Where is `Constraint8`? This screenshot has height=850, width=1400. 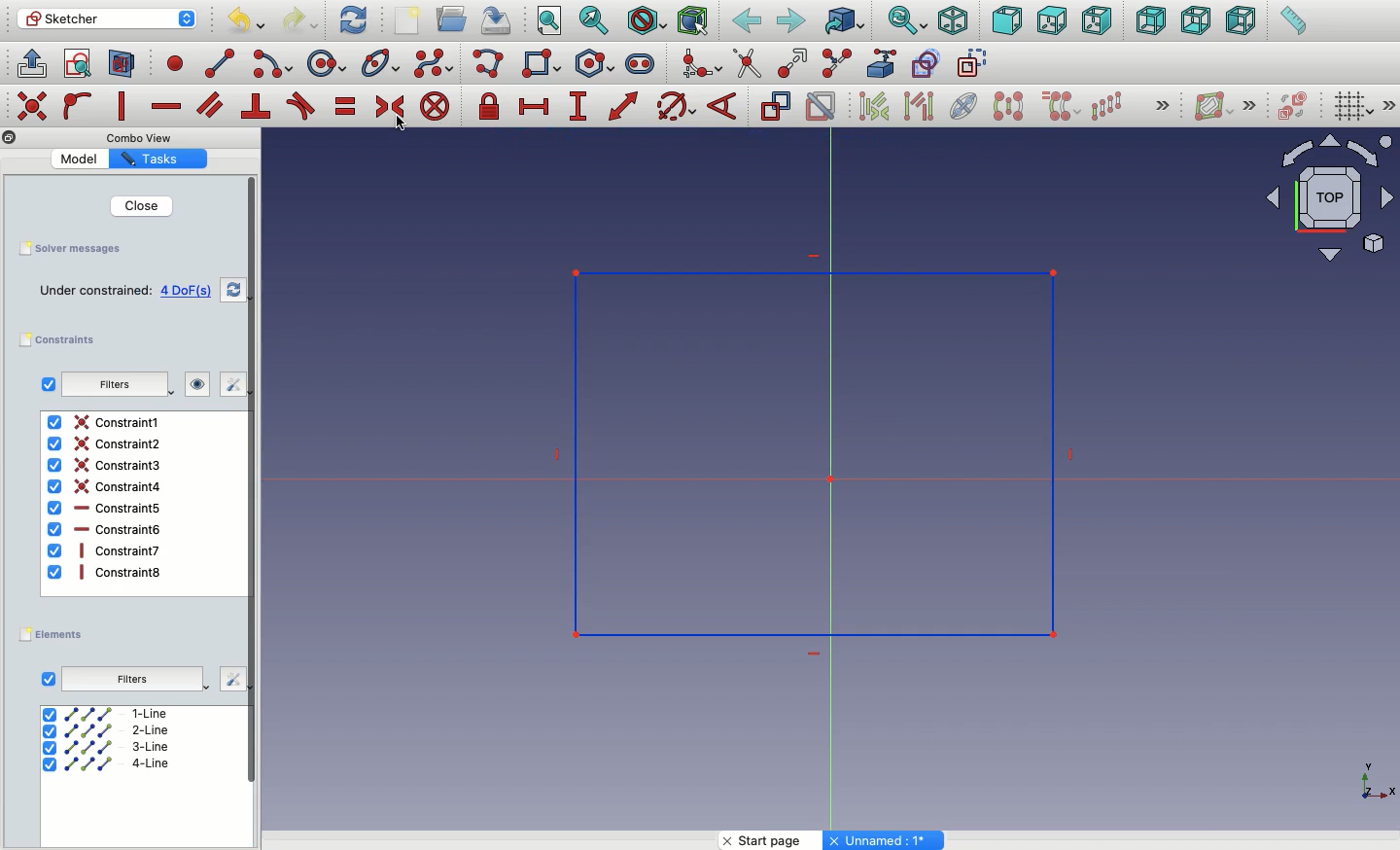 Constraint8 is located at coordinates (106, 572).